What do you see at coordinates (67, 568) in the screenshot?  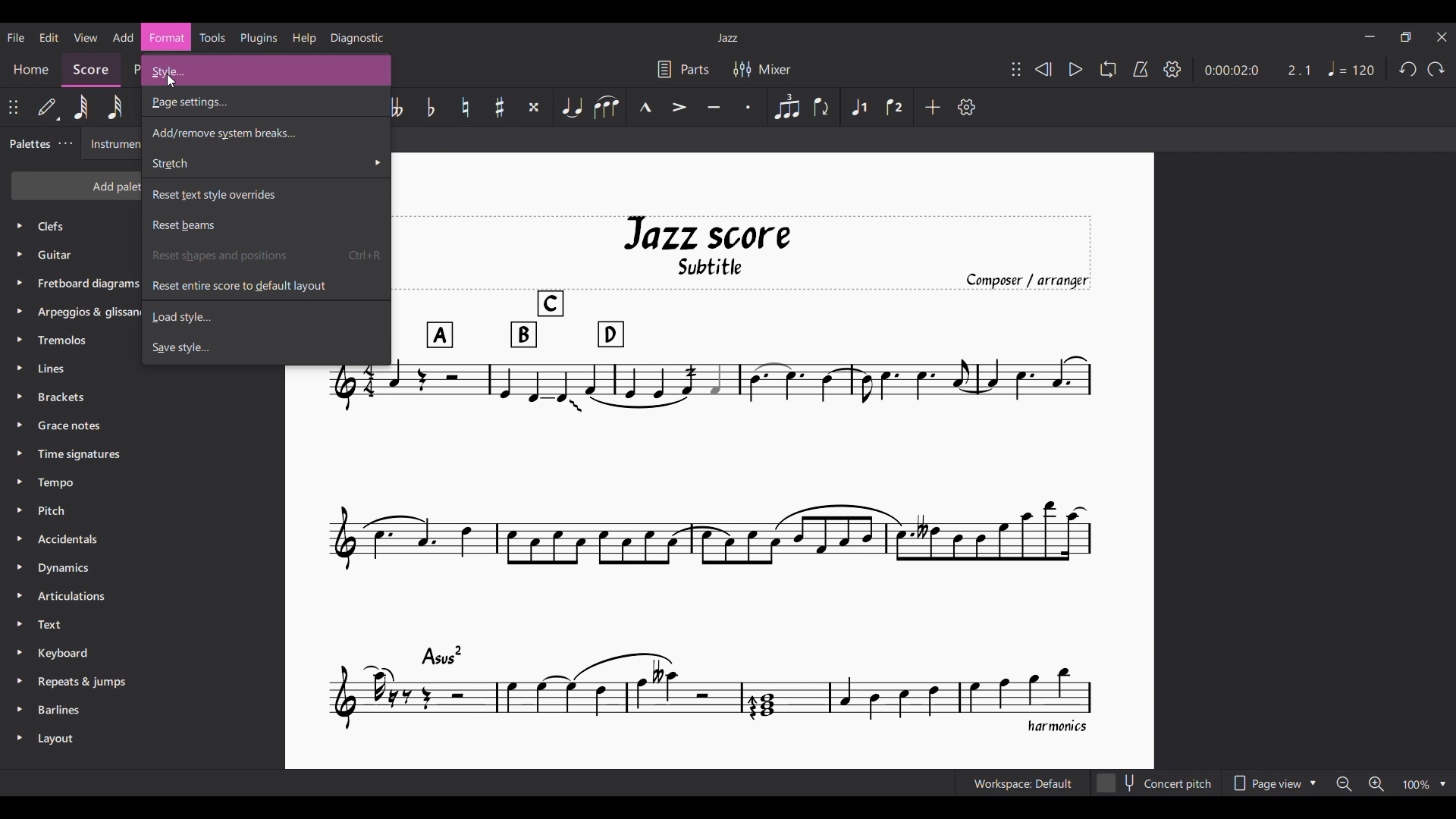 I see `Dynamics` at bounding box center [67, 568].